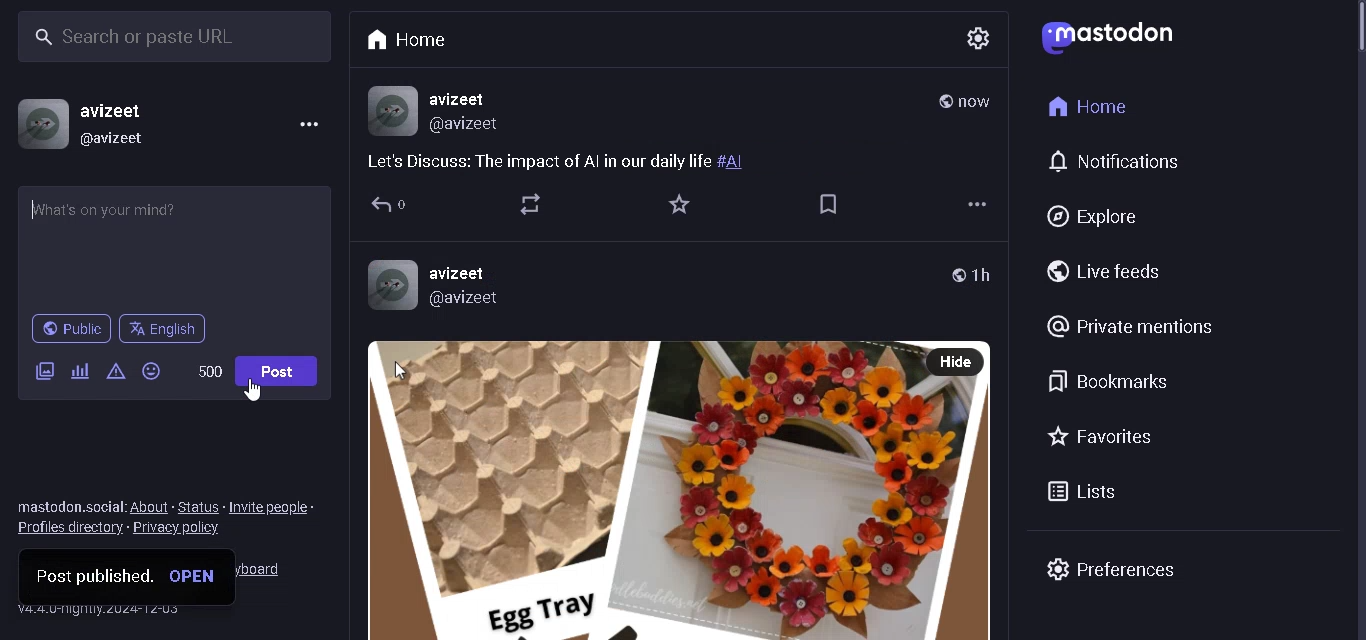  What do you see at coordinates (386, 207) in the screenshot?
I see `REPLIES OR COMMENTS` at bounding box center [386, 207].